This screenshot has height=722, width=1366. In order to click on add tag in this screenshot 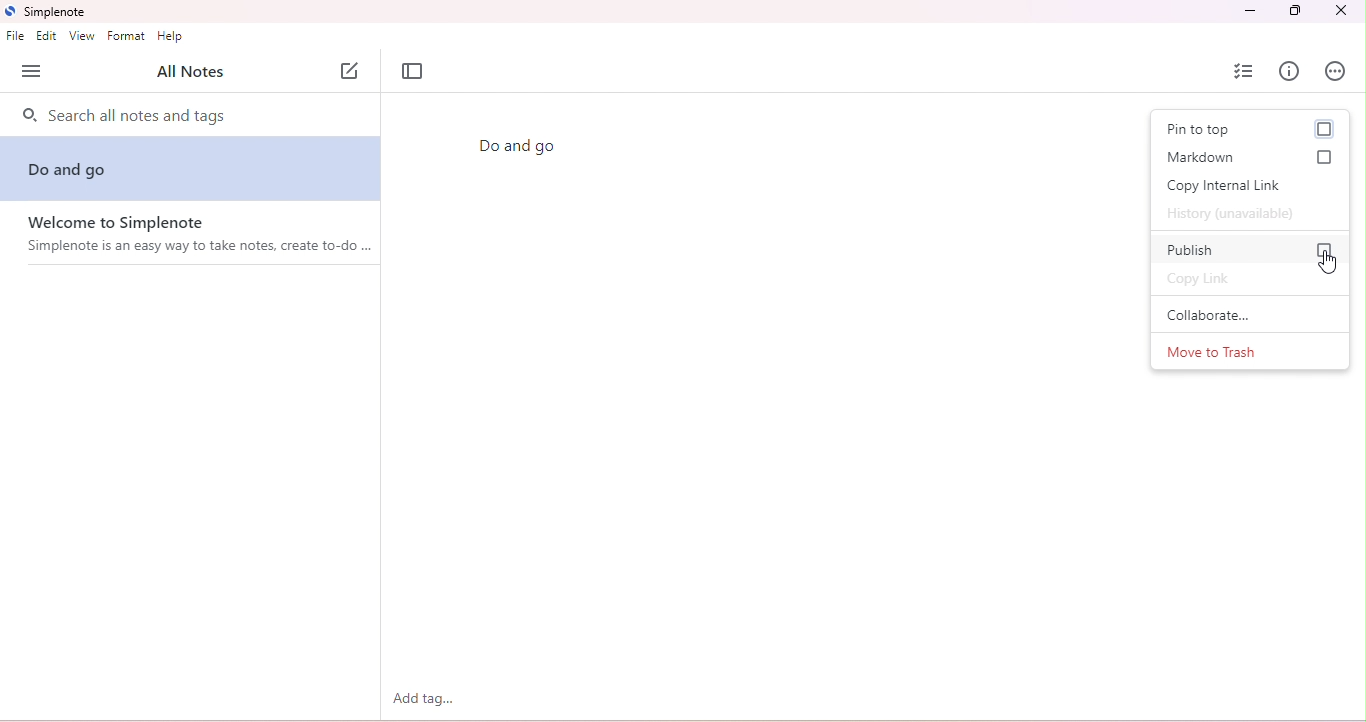, I will do `click(426, 699)`.